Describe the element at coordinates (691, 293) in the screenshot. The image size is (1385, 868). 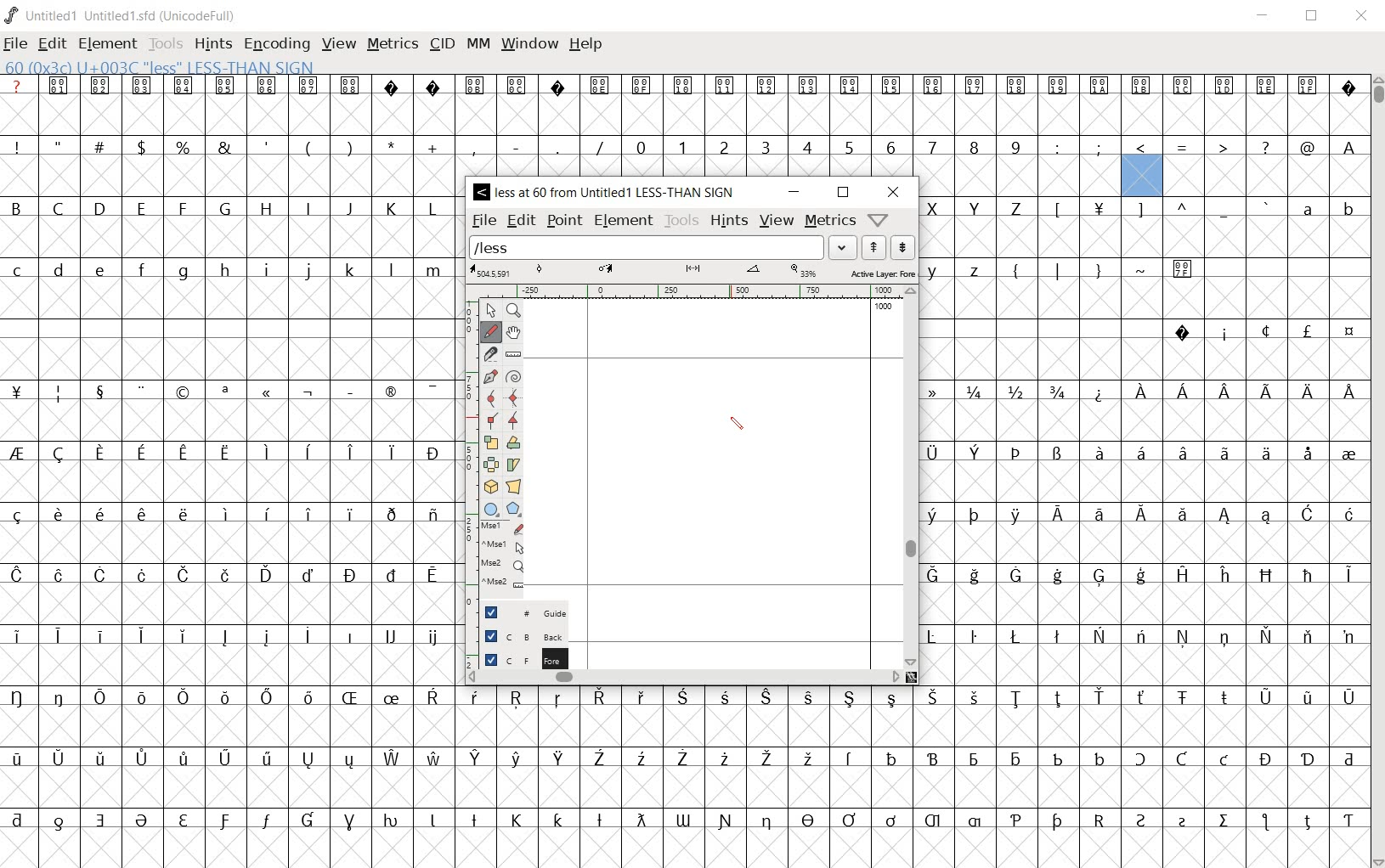
I see `ruler` at that location.